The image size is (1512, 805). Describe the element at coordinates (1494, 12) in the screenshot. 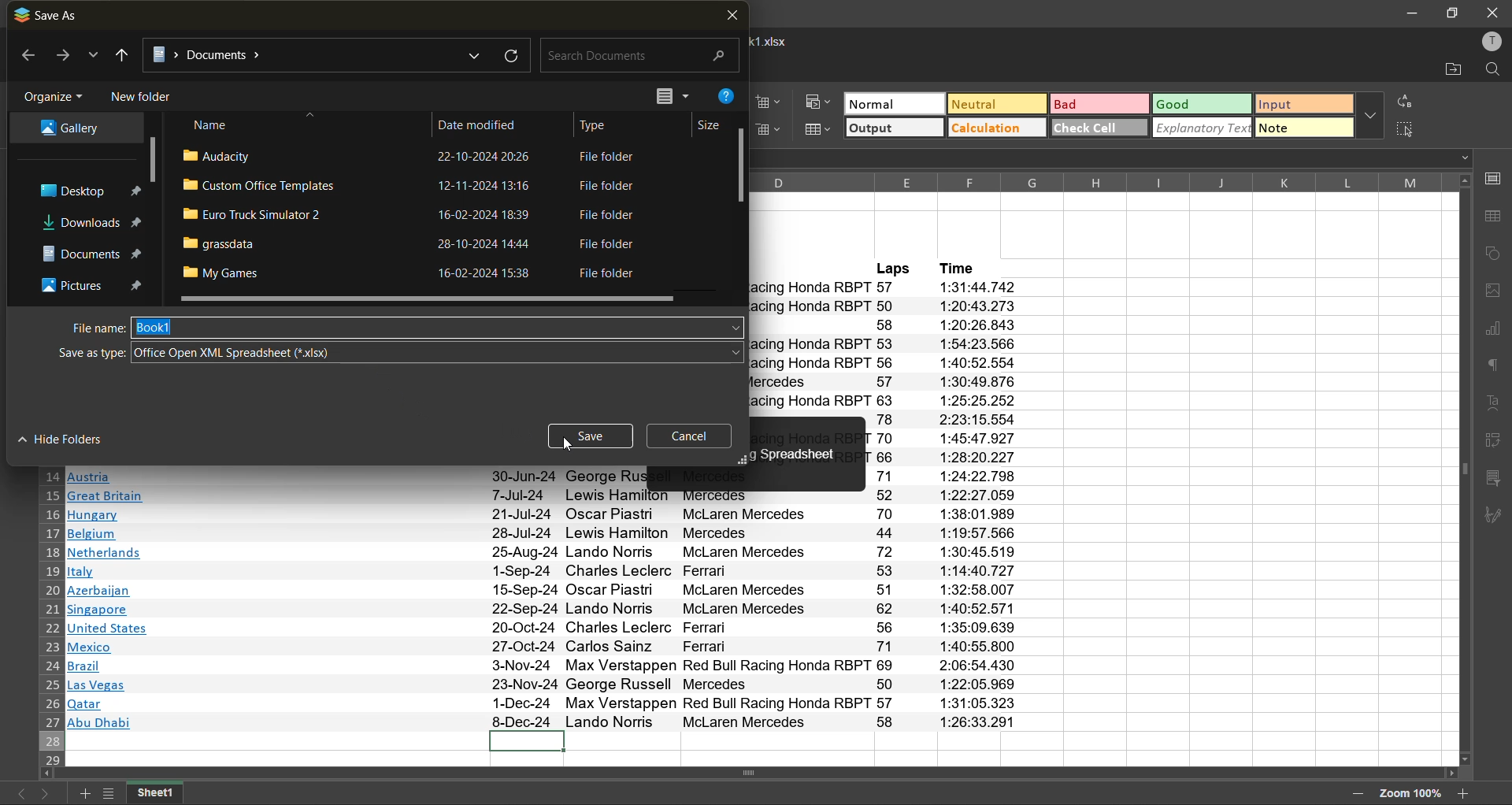

I see `close` at that location.